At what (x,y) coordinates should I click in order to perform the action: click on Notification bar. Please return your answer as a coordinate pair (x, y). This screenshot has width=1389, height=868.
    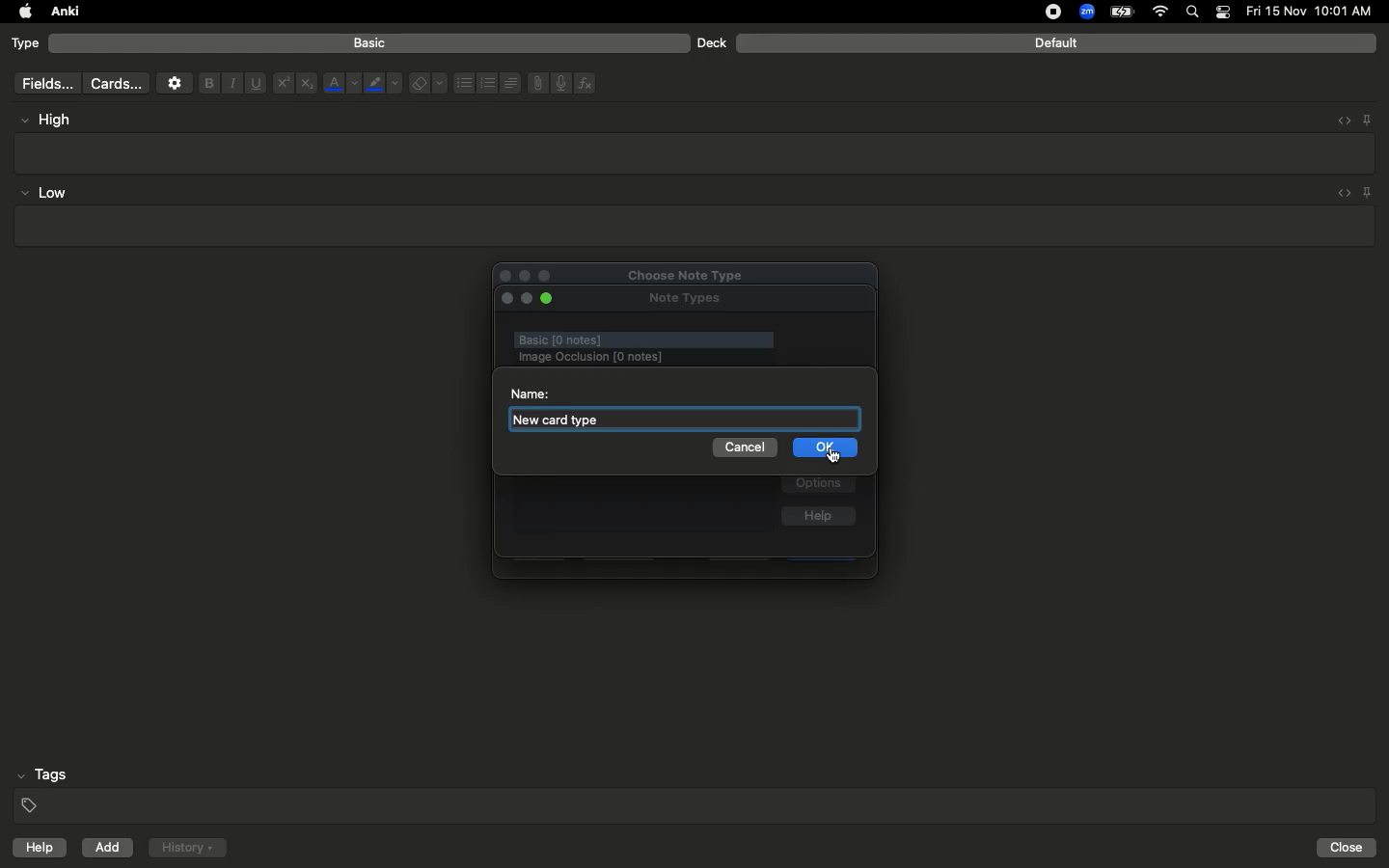
    Looking at the image, I should click on (1223, 13).